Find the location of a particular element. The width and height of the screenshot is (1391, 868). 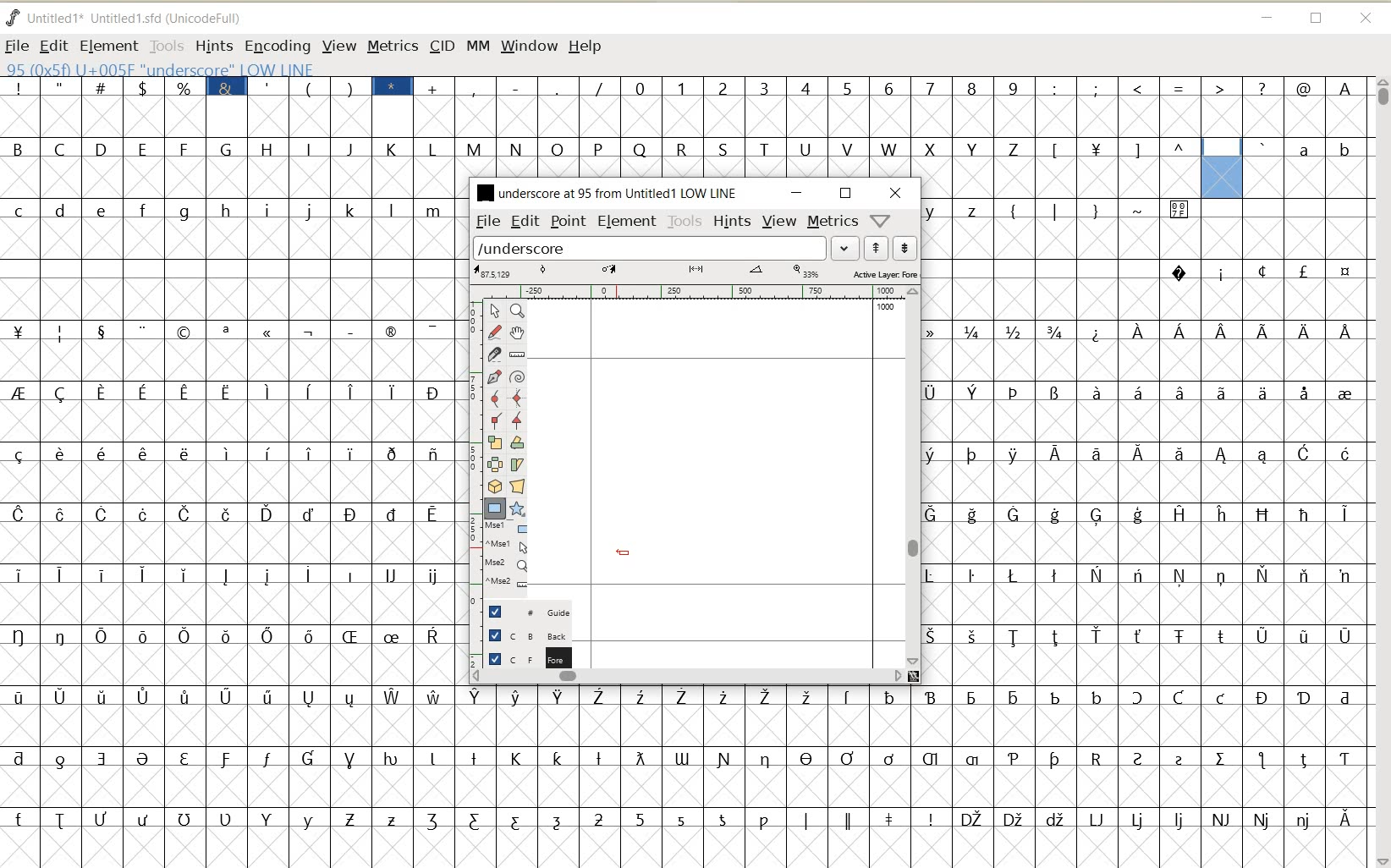

95 (0X5f) U+005F "underscore" LOW LINE is located at coordinates (159, 70).